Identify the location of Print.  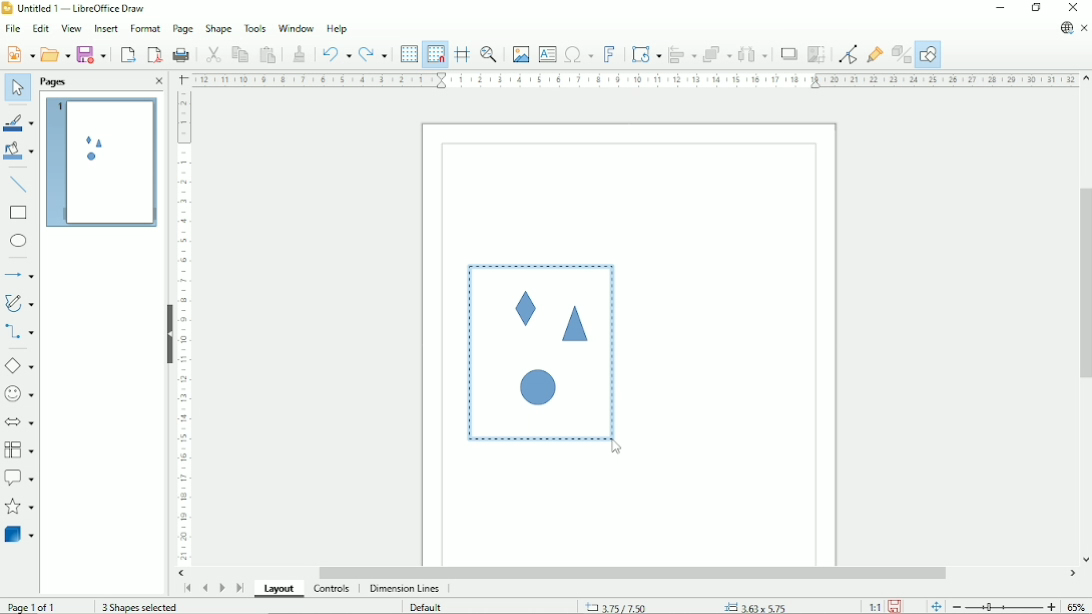
(182, 53).